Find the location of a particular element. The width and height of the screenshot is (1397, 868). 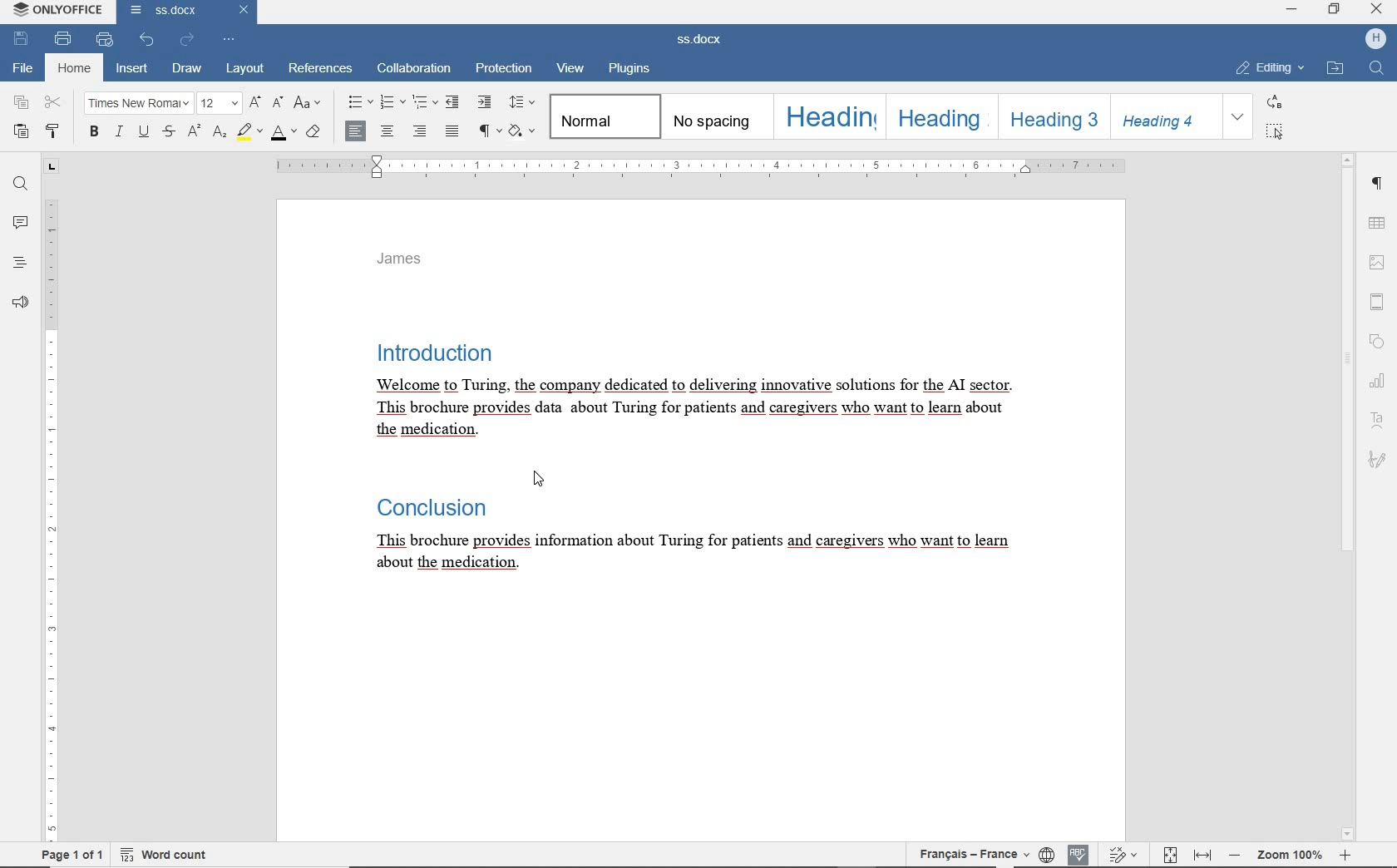

PARAGRAPH SETTINGS is located at coordinates (1379, 185).